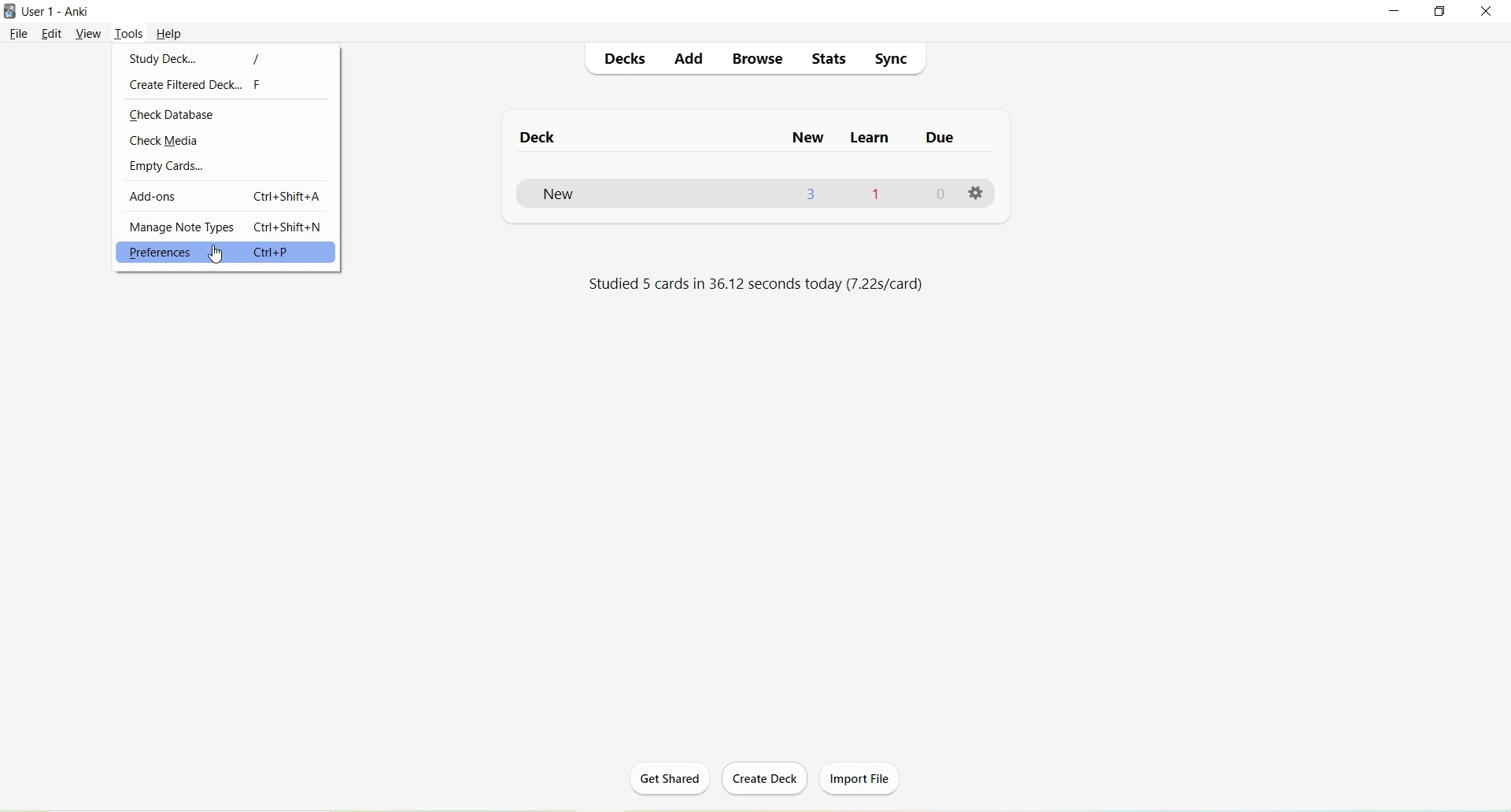 This screenshot has width=1511, height=812. What do you see at coordinates (54, 34) in the screenshot?
I see `Edit` at bounding box center [54, 34].